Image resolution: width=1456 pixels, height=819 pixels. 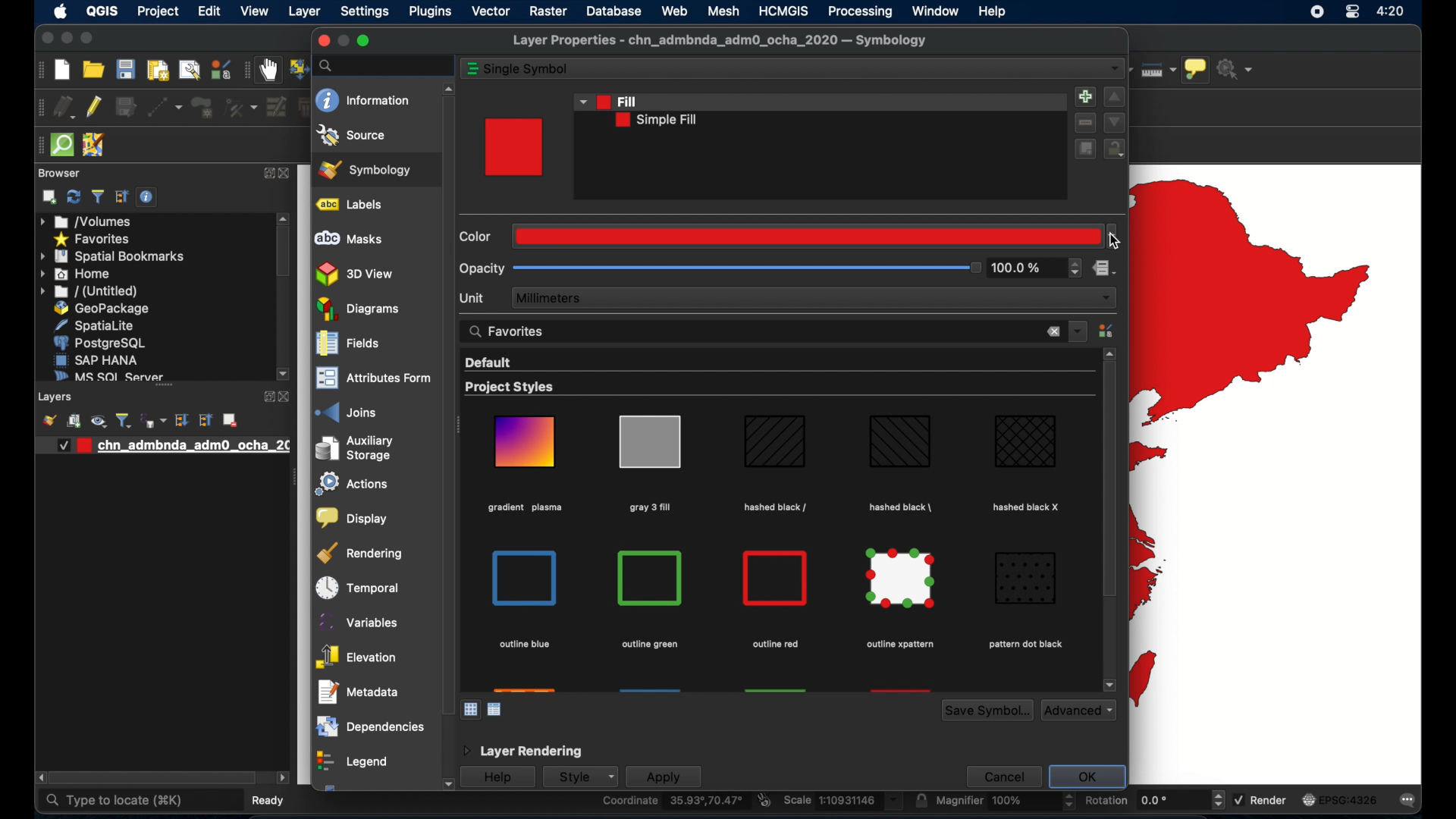 I want to click on close, so click(x=1053, y=333).